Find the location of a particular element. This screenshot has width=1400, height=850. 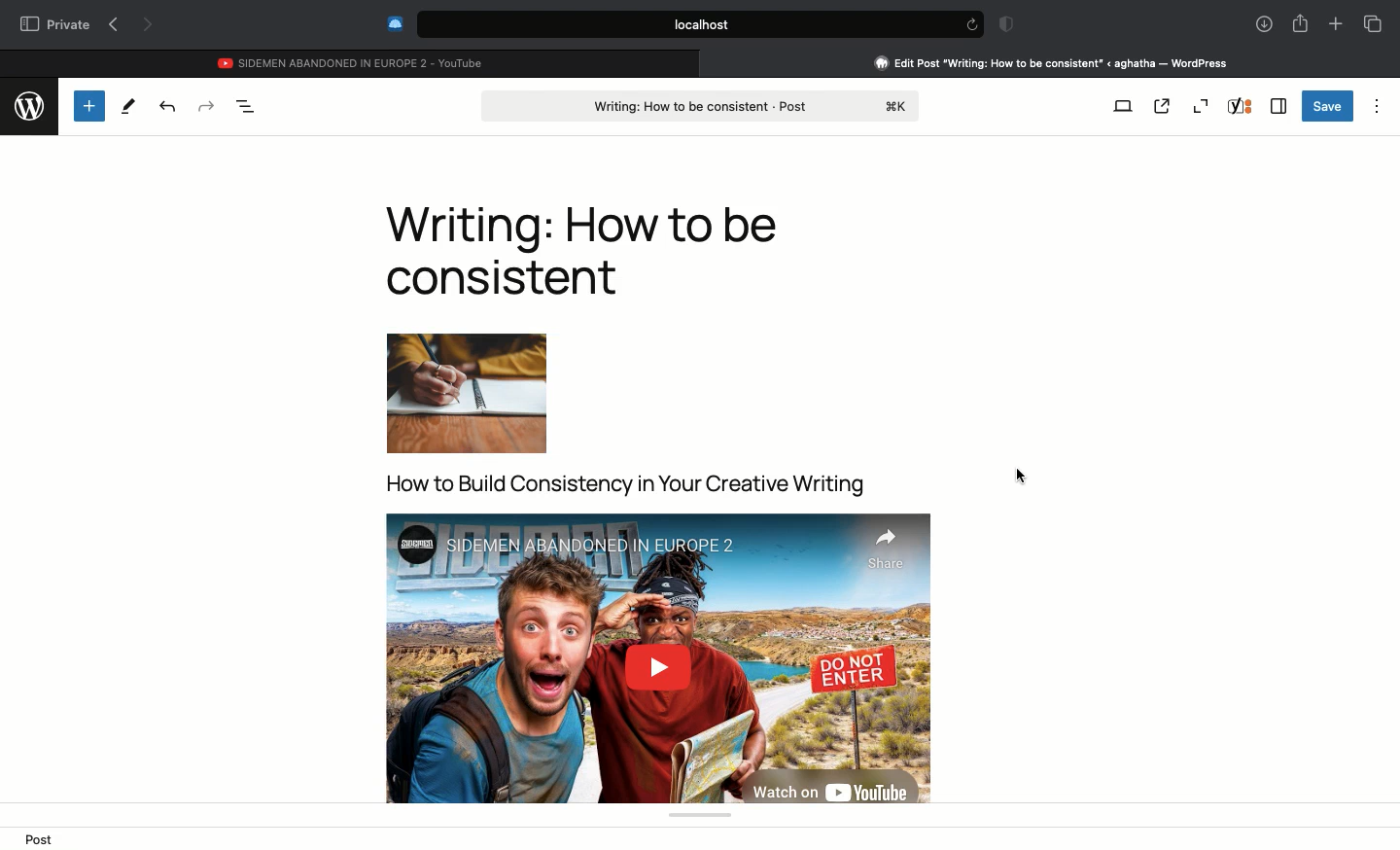

Post is located at coordinates (703, 104).